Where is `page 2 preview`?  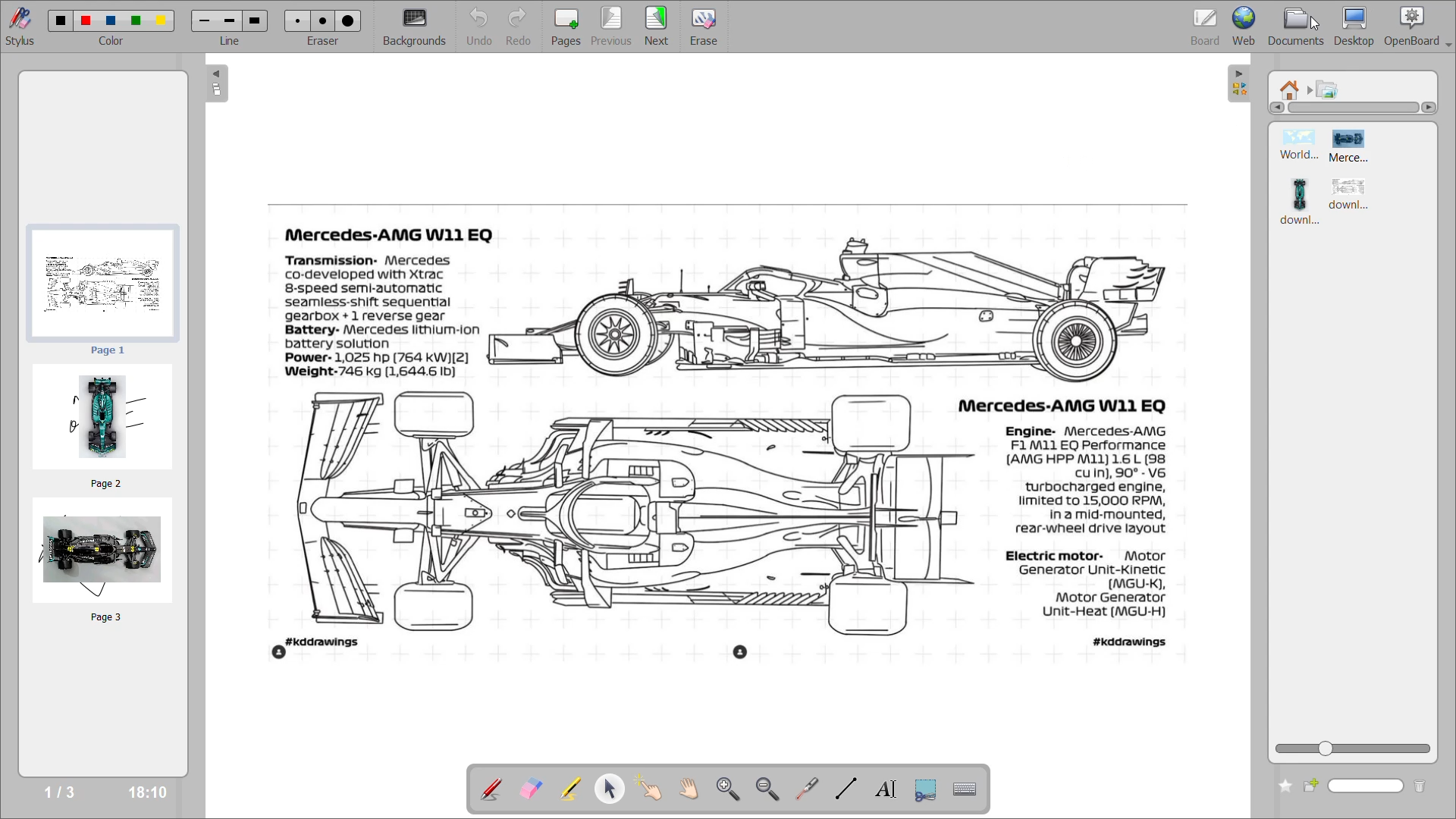 page 2 preview is located at coordinates (105, 426).